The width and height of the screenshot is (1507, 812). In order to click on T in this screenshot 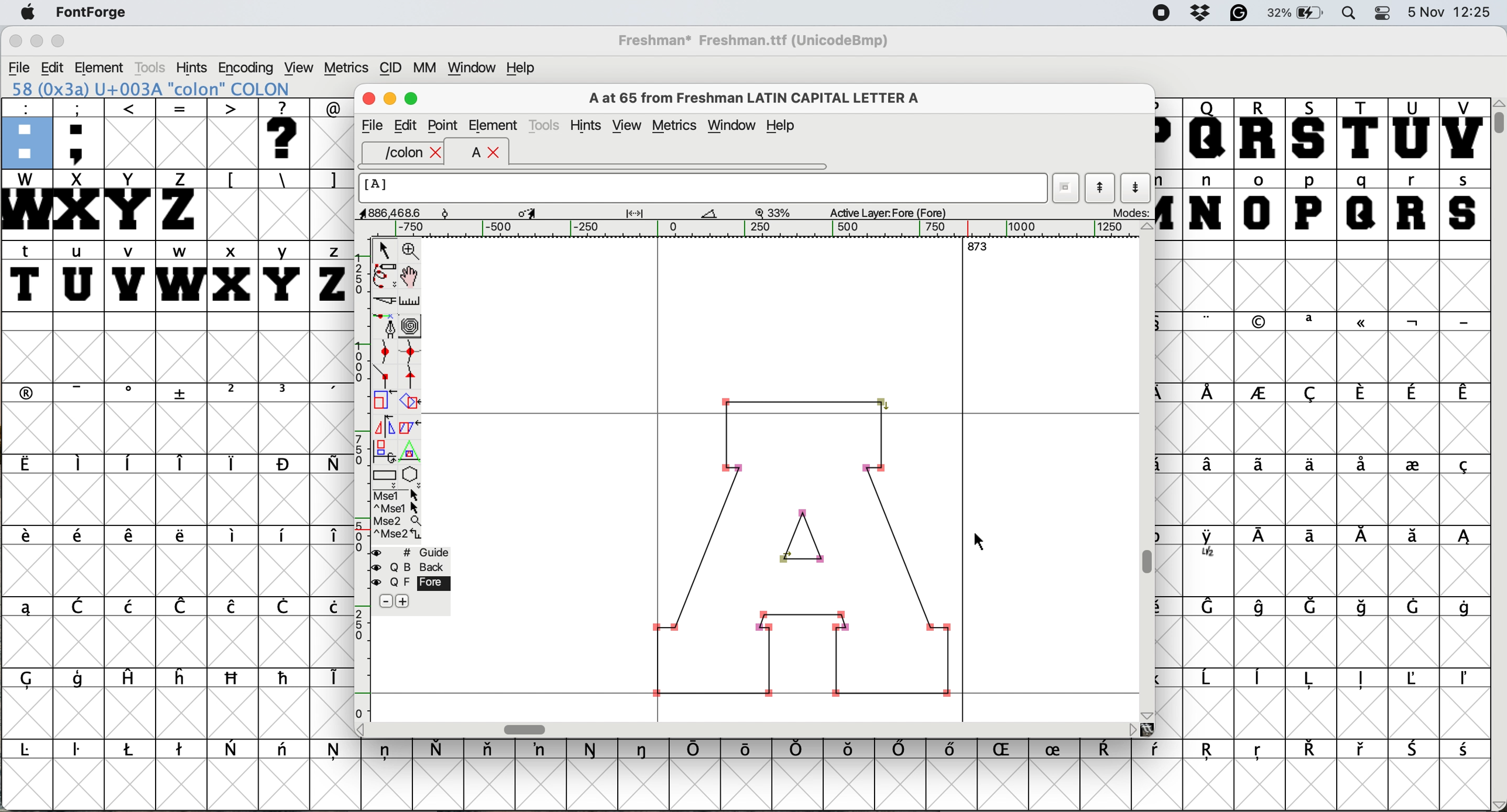, I will do `click(1360, 132)`.